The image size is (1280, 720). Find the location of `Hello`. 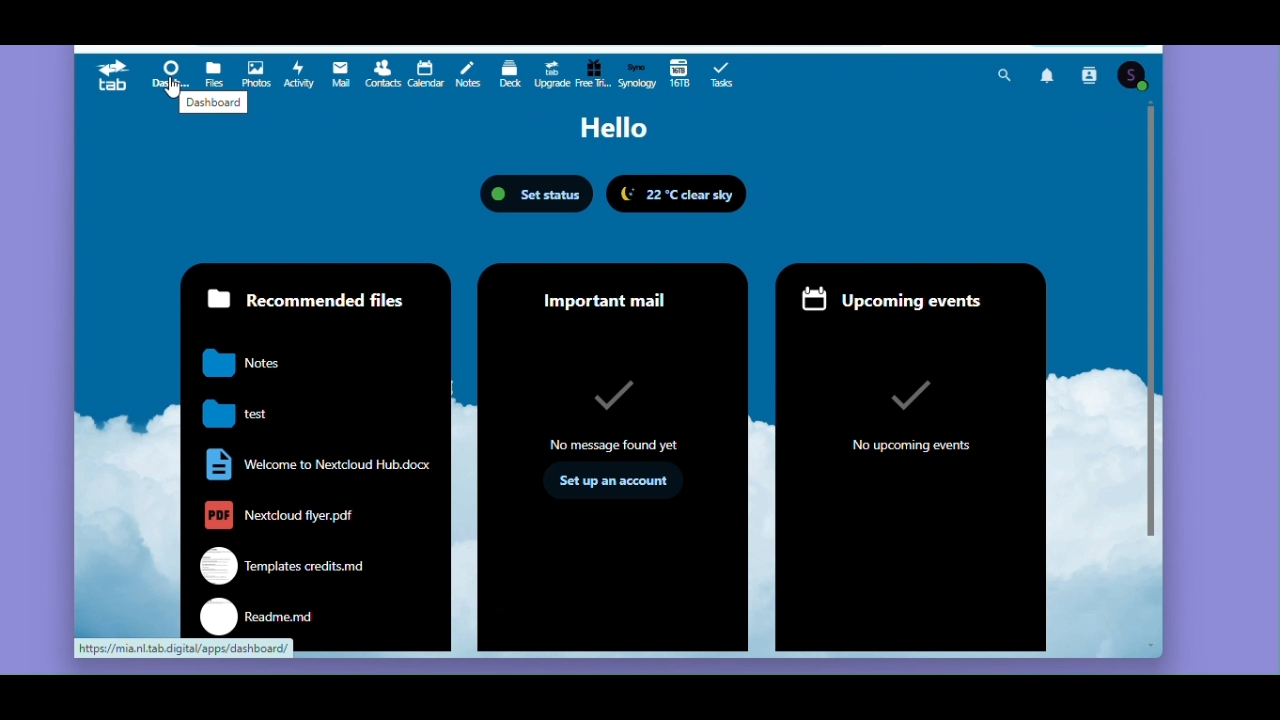

Hello is located at coordinates (613, 128).